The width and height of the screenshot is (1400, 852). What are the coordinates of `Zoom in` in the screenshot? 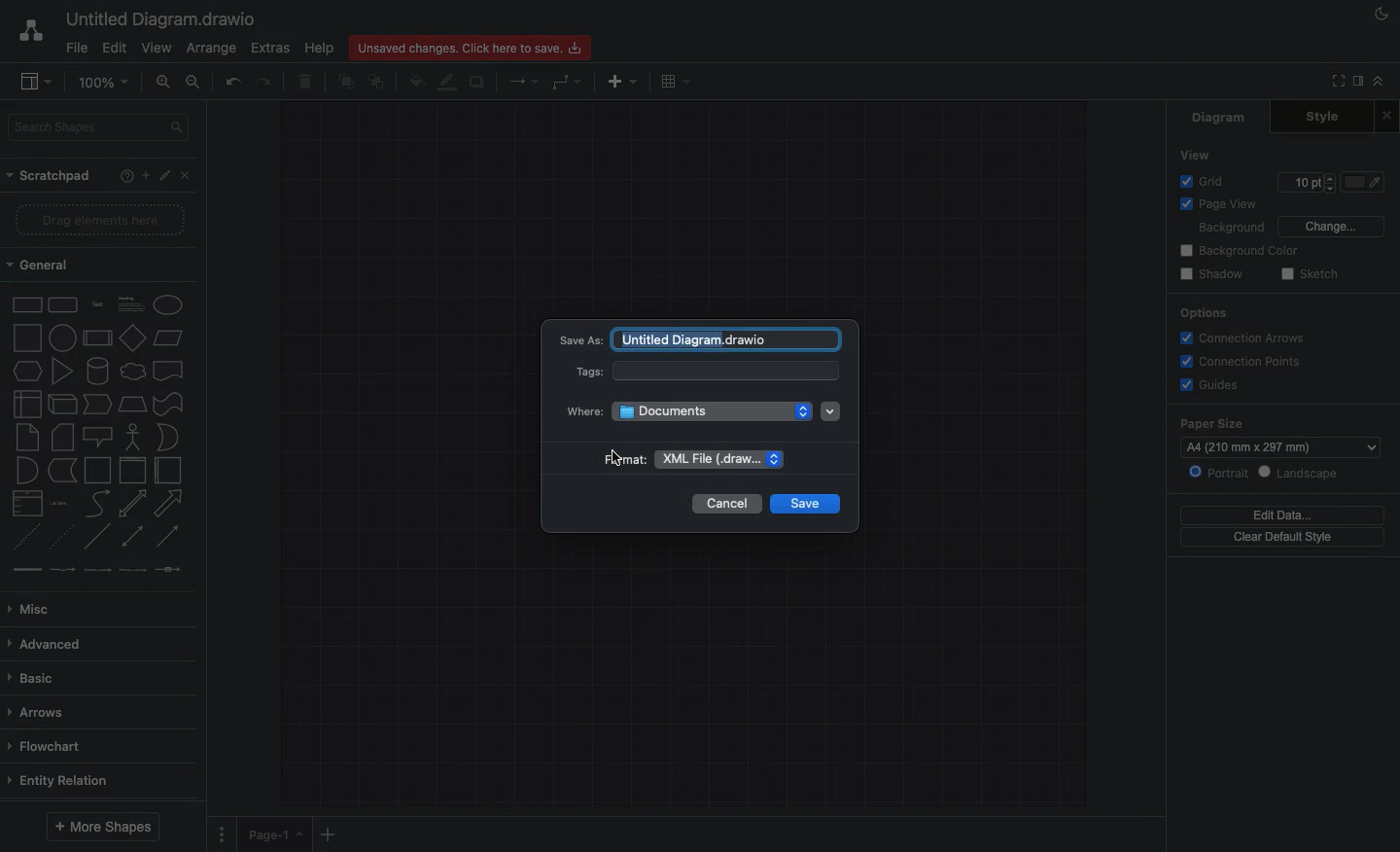 It's located at (162, 83).